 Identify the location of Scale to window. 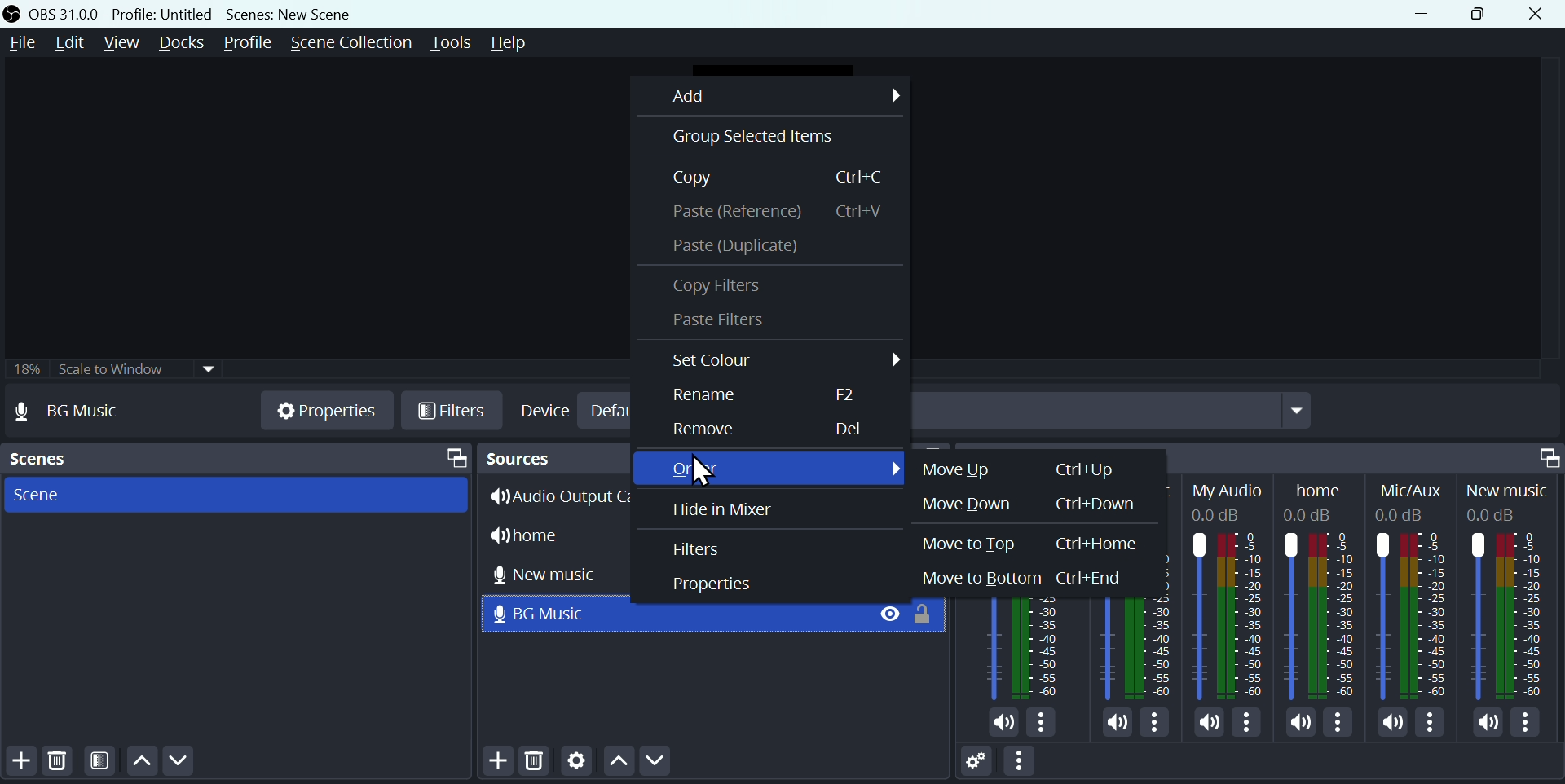
(136, 368).